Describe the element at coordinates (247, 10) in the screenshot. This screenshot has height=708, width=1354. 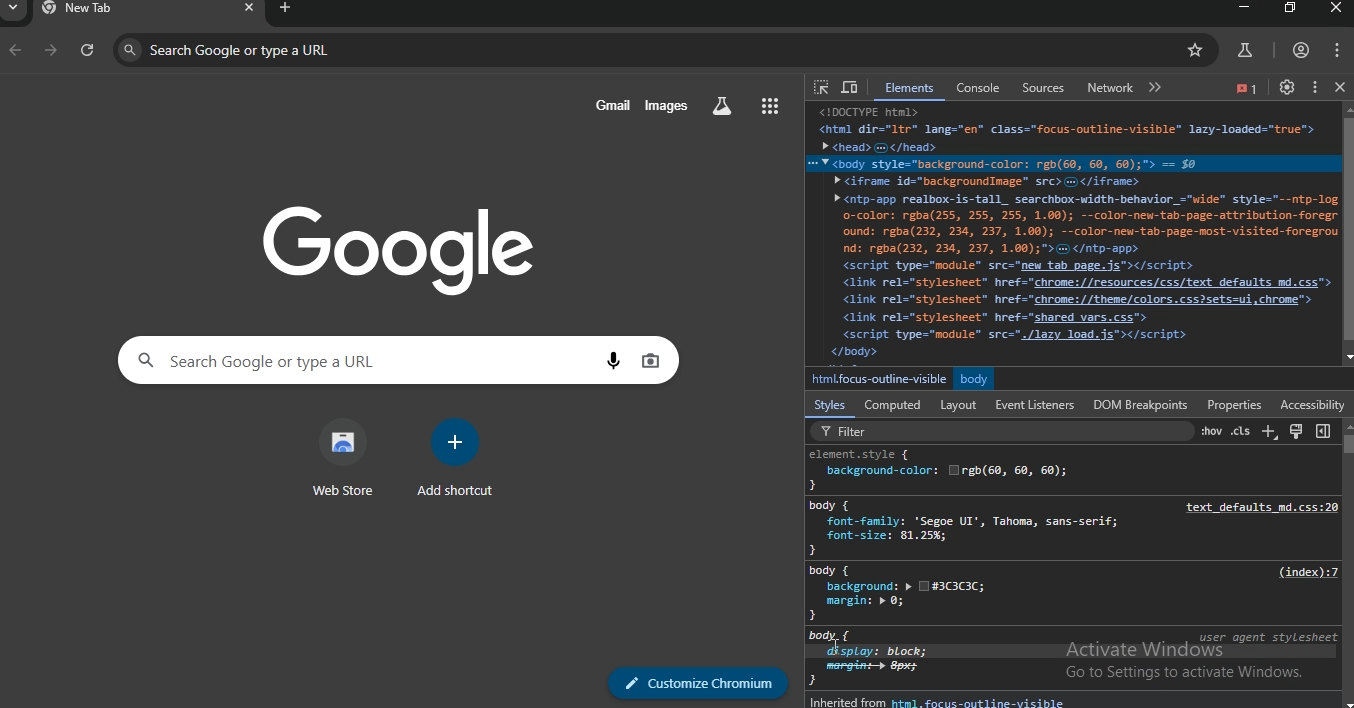
I see `close` at that location.